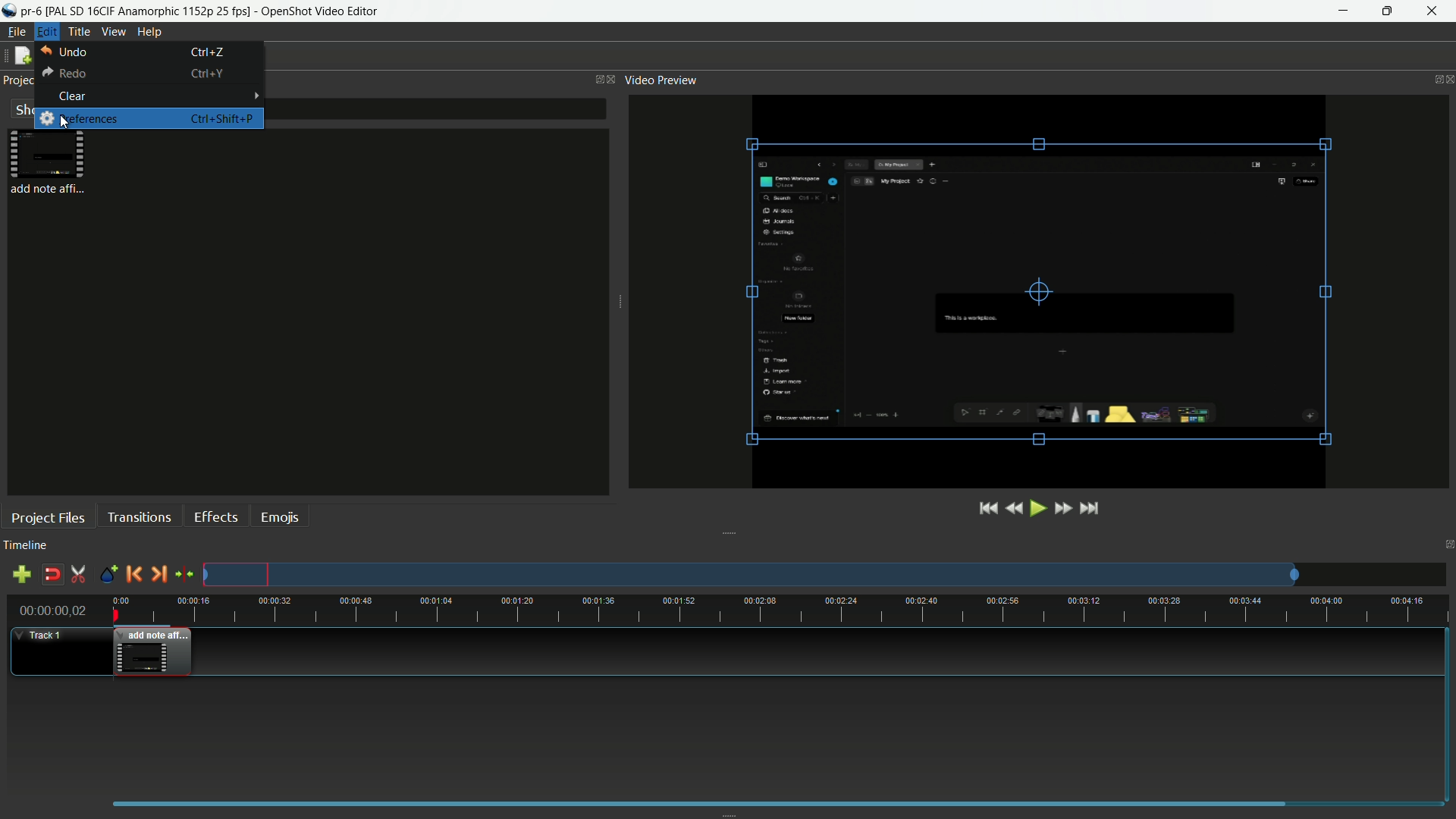 The height and width of the screenshot is (819, 1456). I want to click on track preview, so click(752, 575).